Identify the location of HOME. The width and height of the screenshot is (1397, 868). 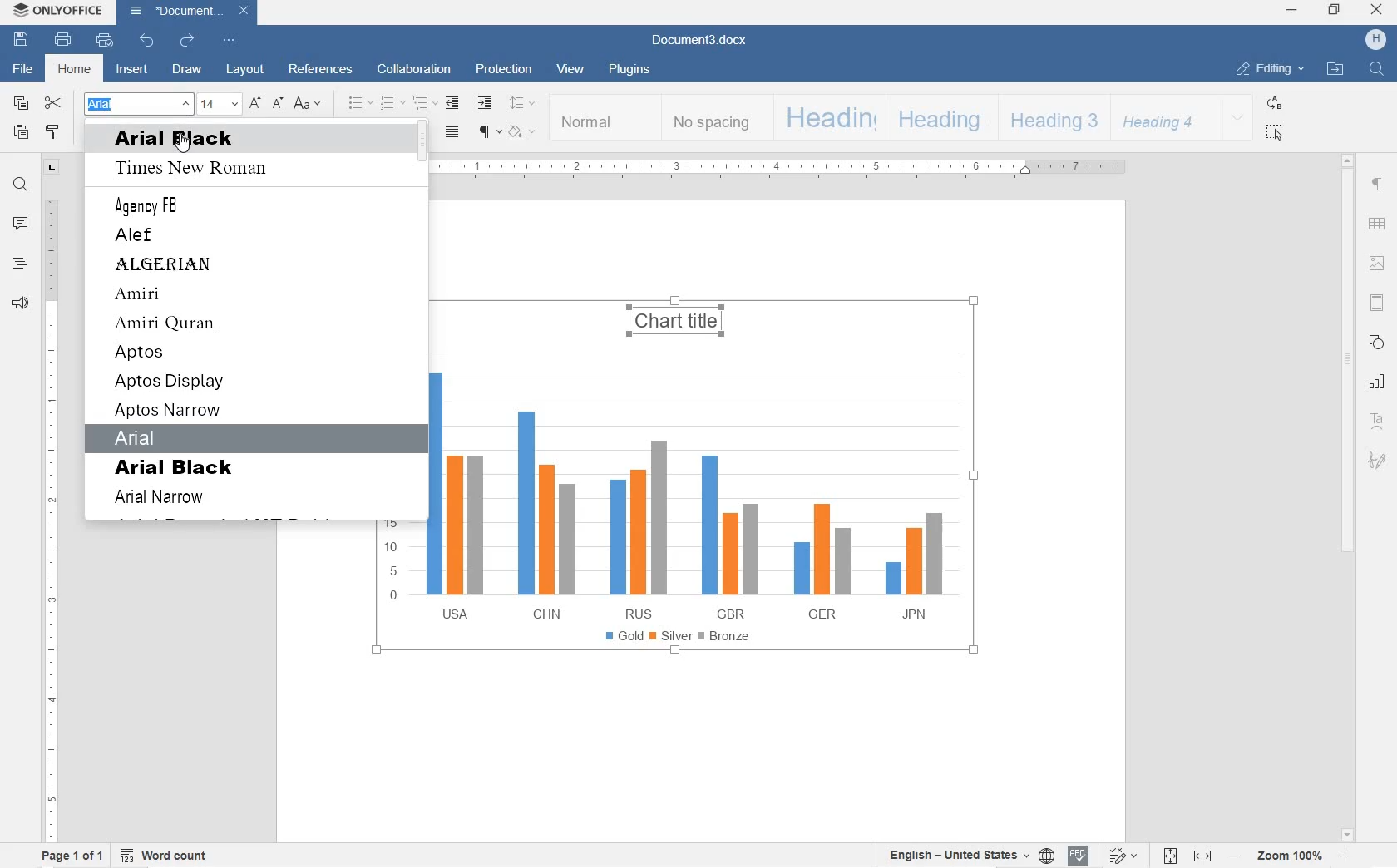
(74, 71).